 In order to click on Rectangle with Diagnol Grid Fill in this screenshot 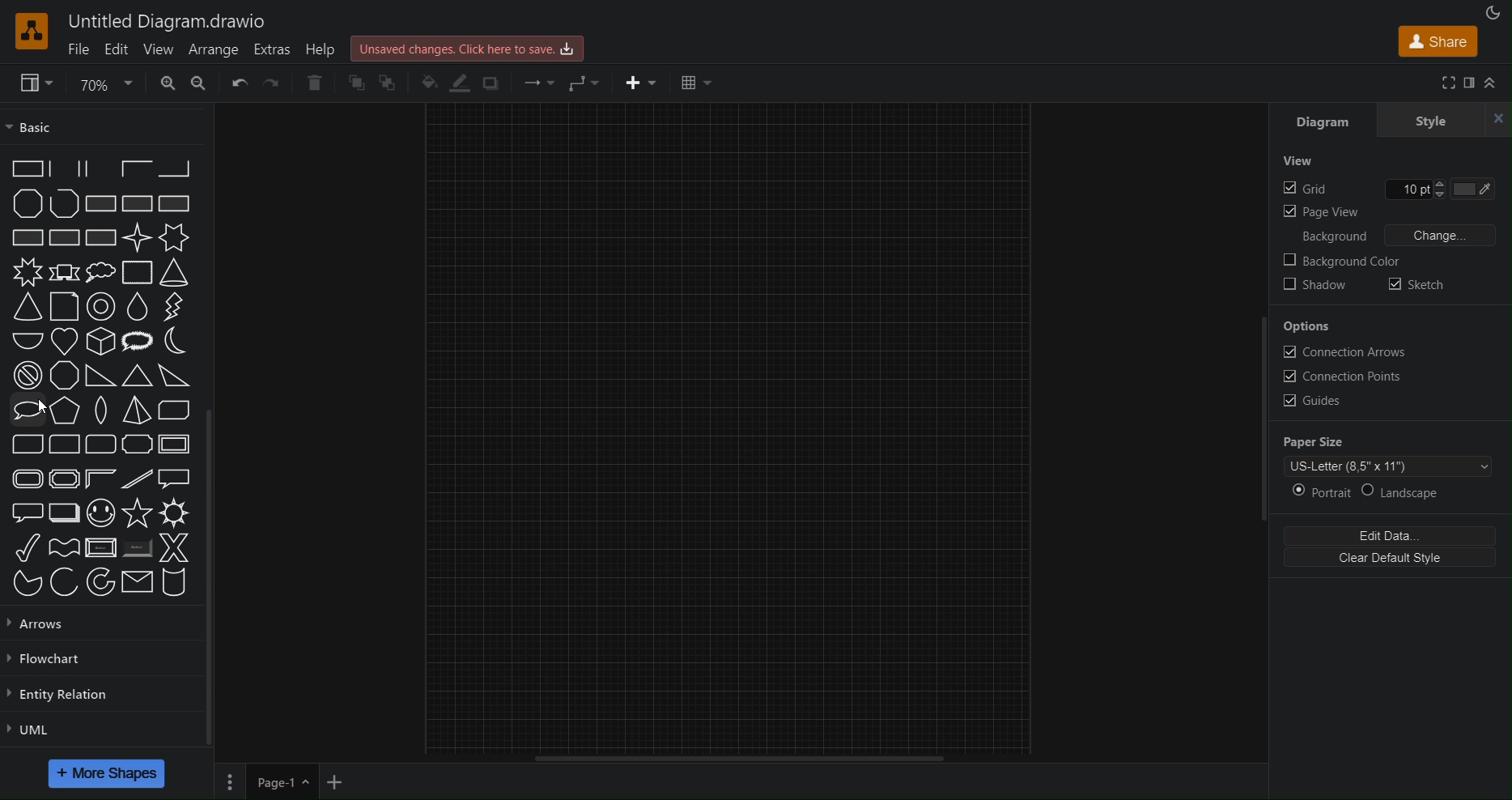, I will do `click(101, 236)`.